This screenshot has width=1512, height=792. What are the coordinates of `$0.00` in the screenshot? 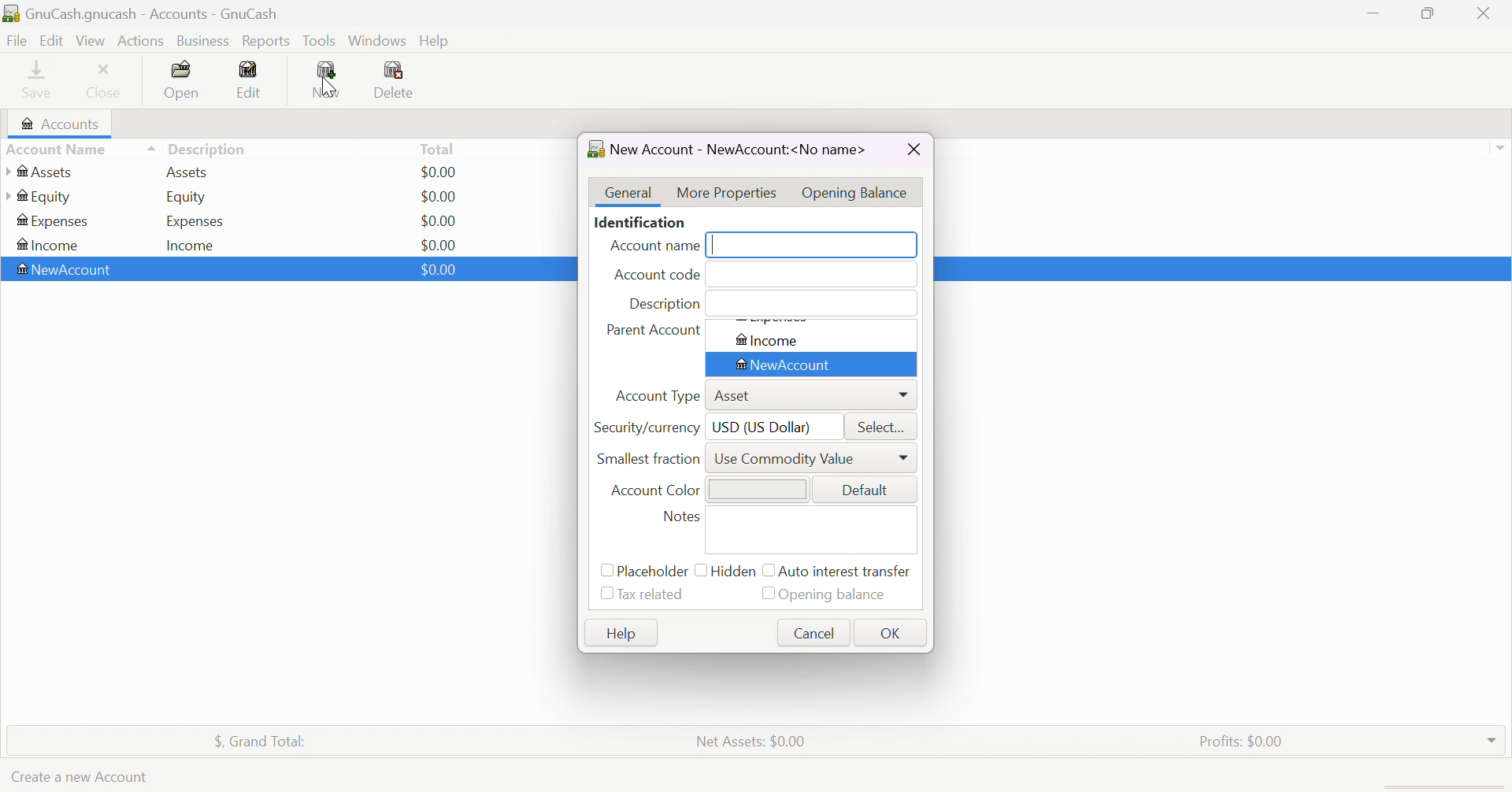 It's located at (435, 246).